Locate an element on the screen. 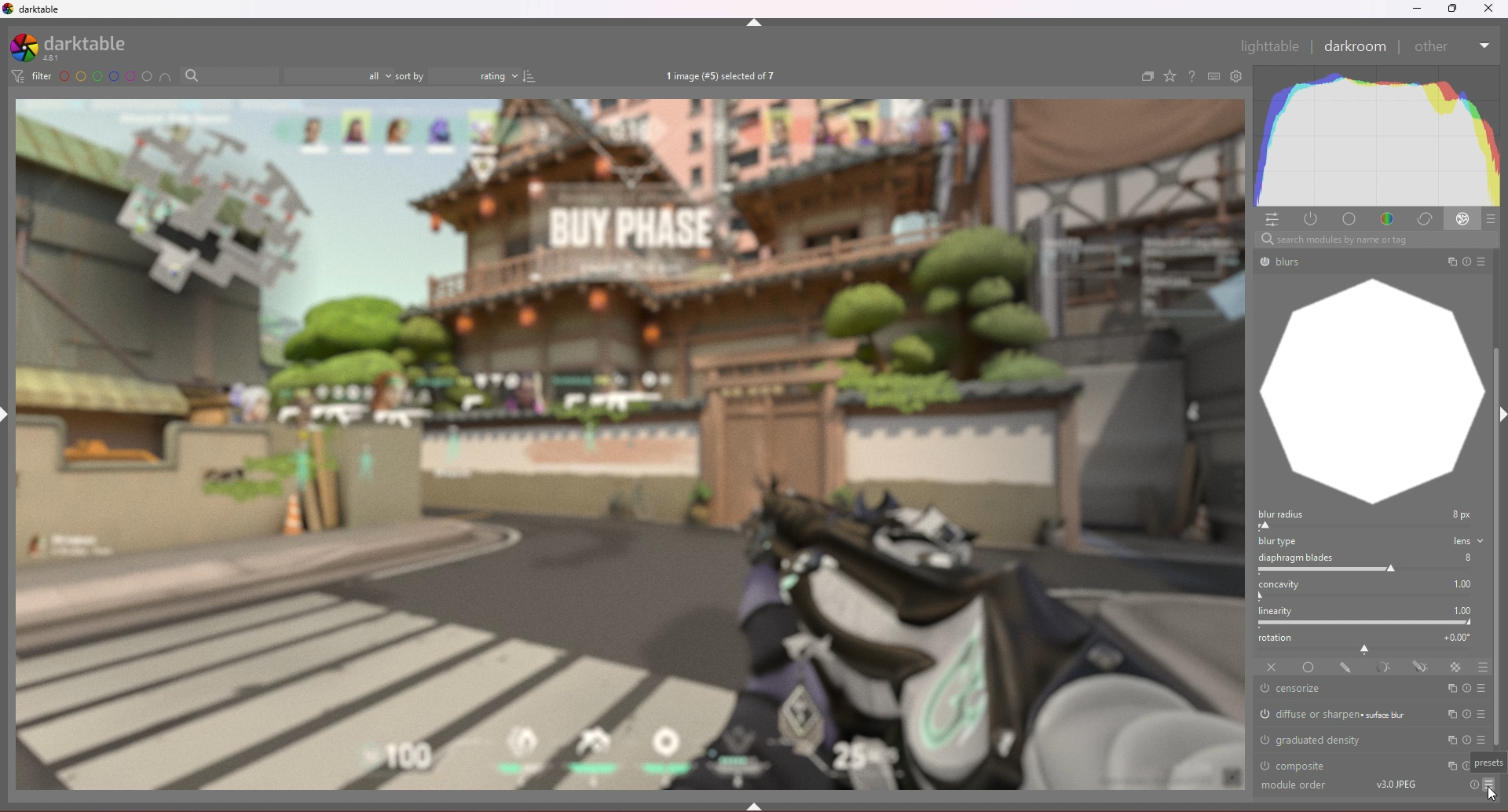 The width and height of the screenshot is (1508, 812). presets is located at coordinates (1492, 219).